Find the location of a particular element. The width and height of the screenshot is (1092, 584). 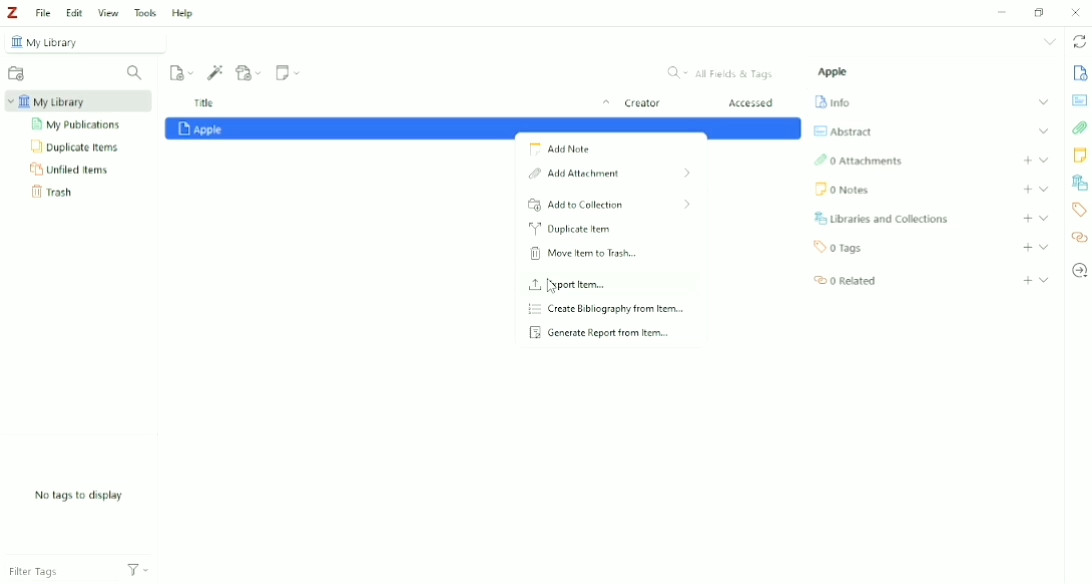

Cursor is located at coordinates (555, 287).